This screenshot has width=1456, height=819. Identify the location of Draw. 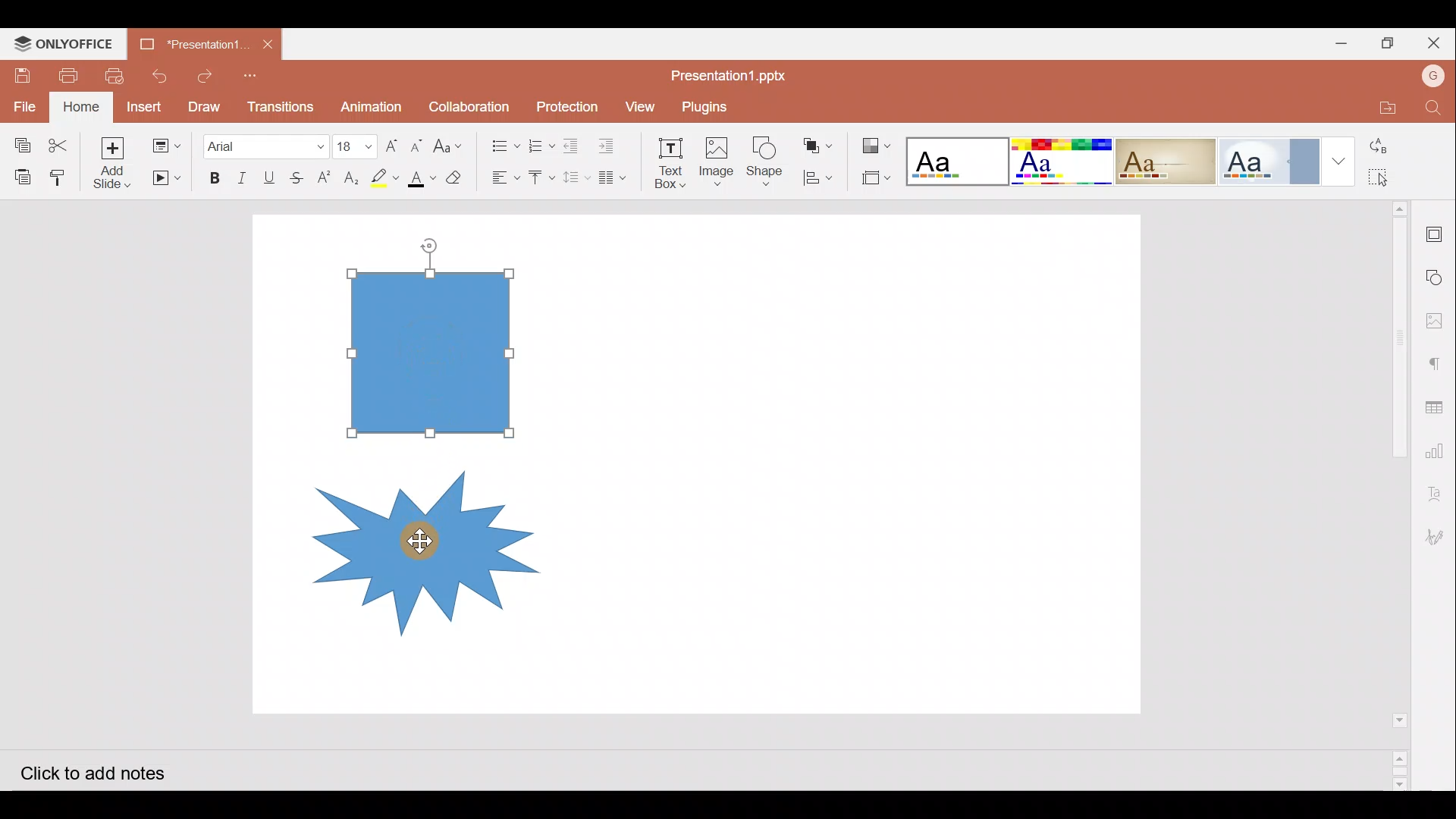
(205, 105).